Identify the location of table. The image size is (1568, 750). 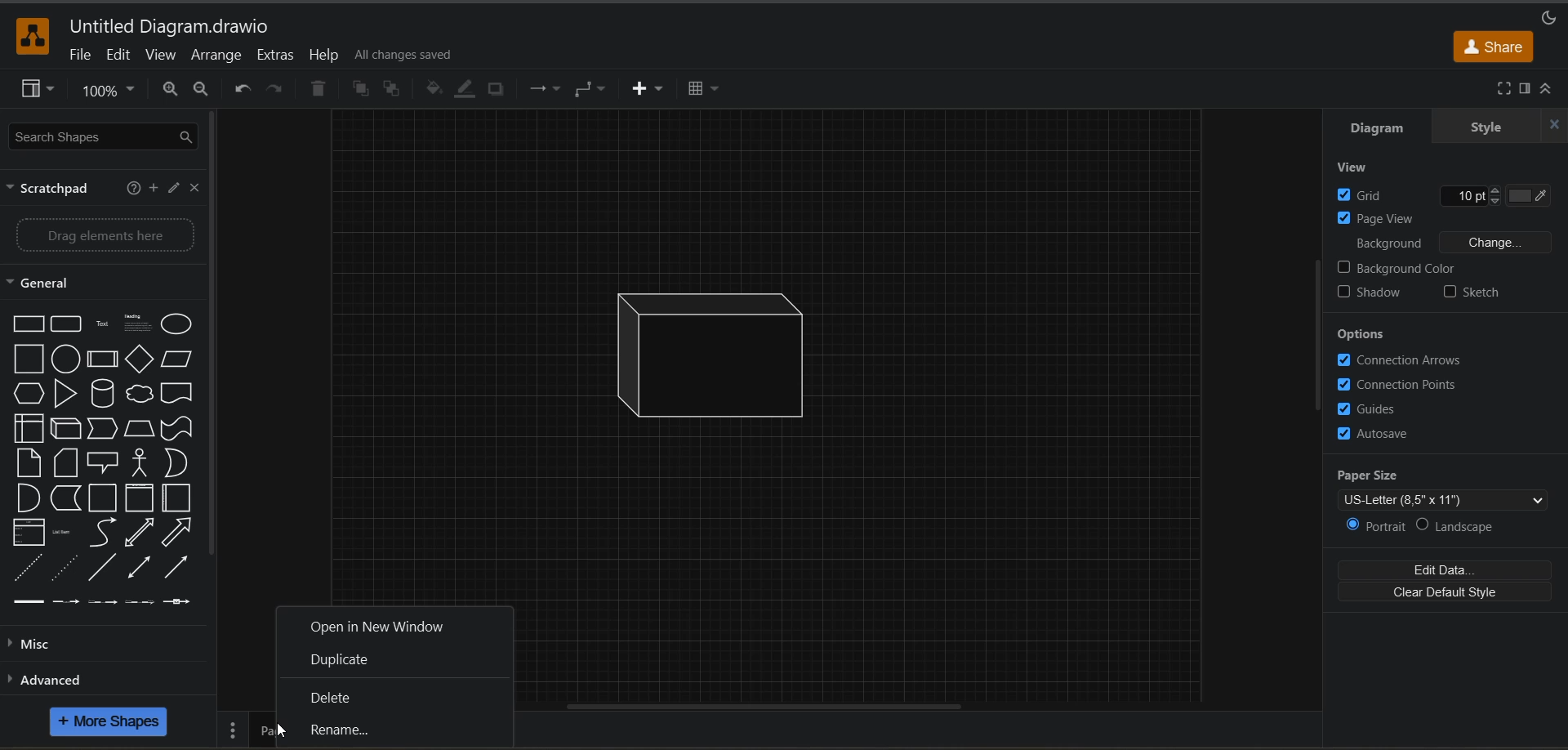
(704, 92).